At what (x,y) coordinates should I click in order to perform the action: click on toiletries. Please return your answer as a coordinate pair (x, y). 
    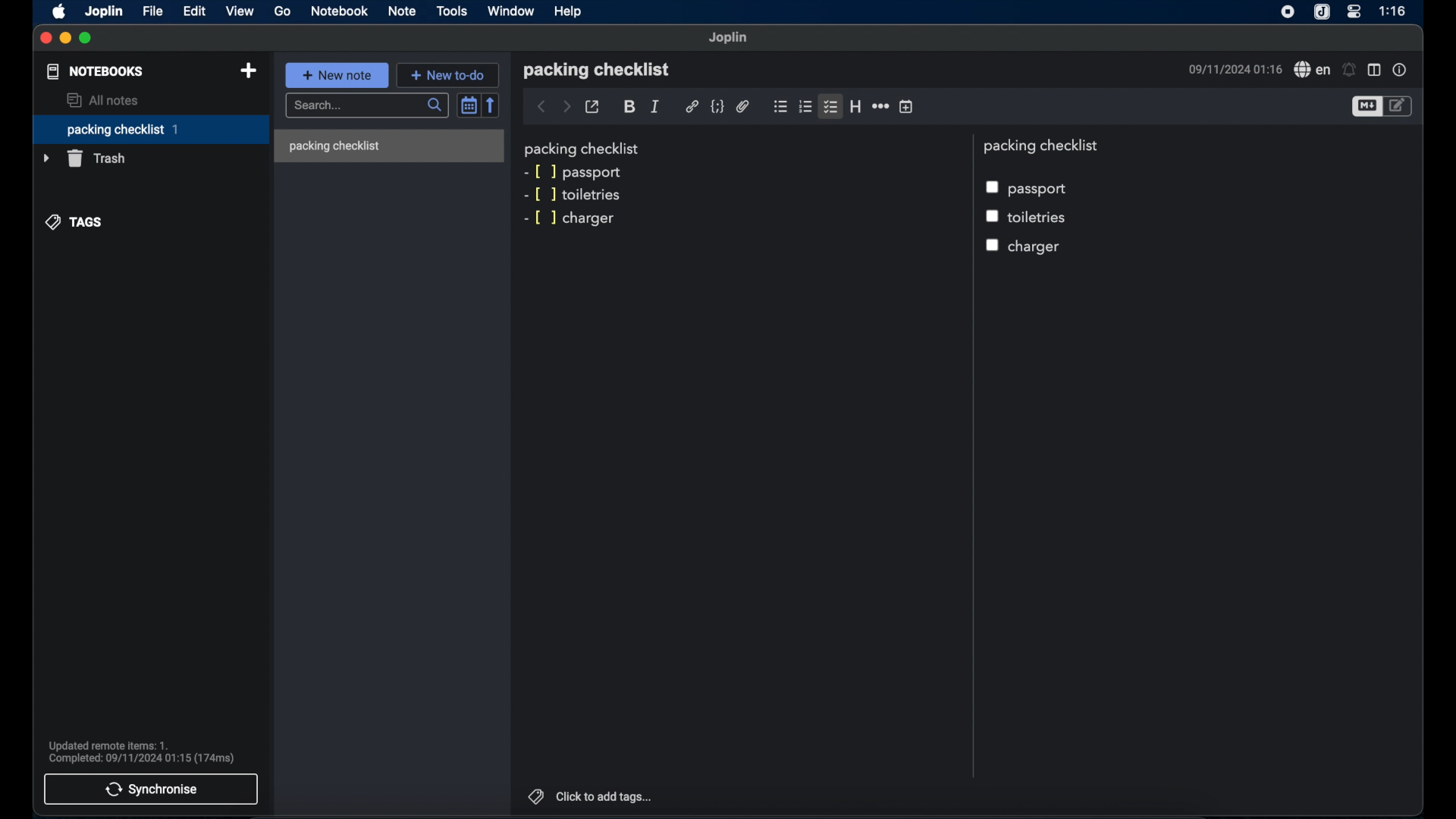
    Looking at the image, I should click on (595, 195).